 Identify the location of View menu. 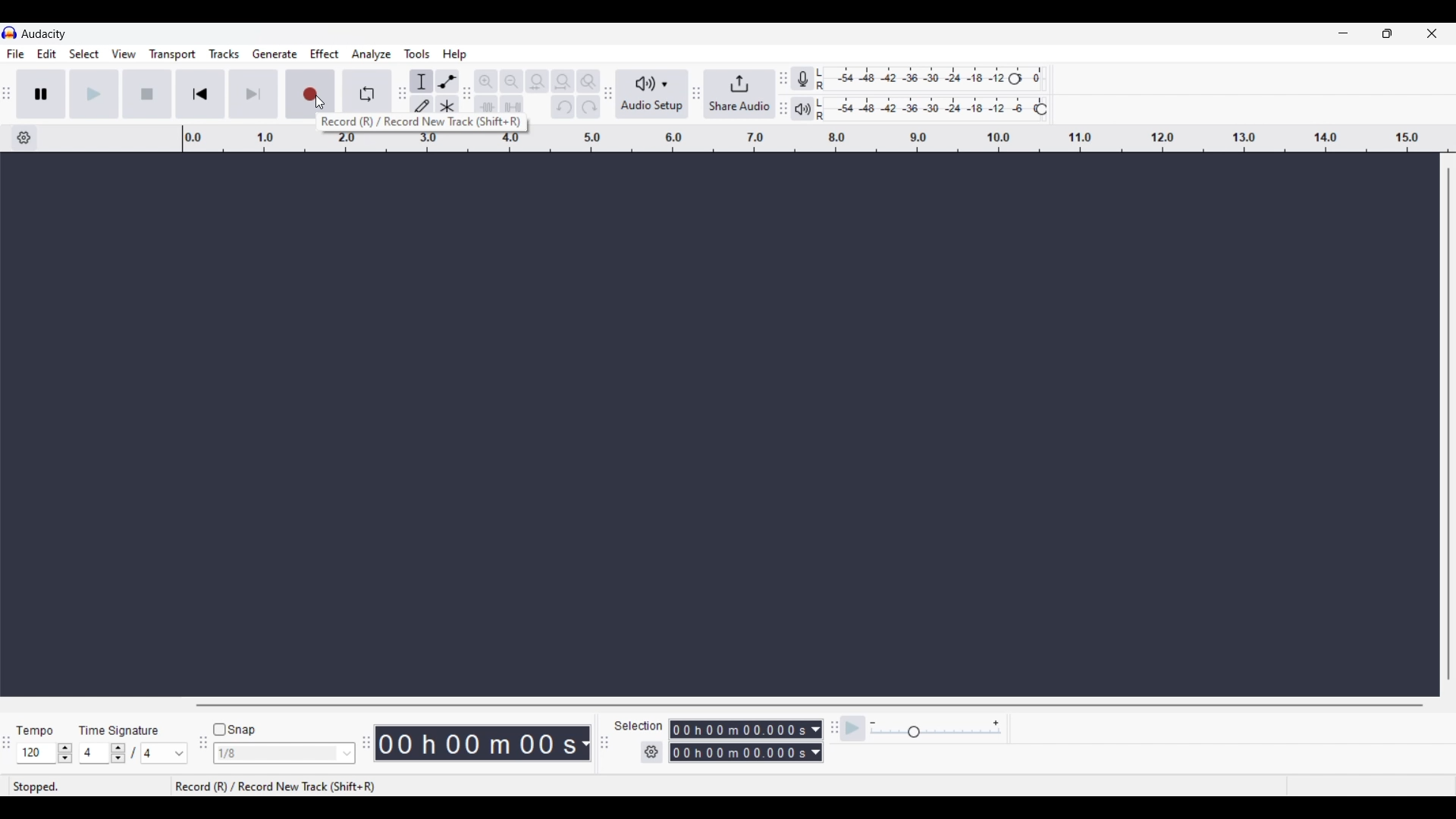
(124, 54).